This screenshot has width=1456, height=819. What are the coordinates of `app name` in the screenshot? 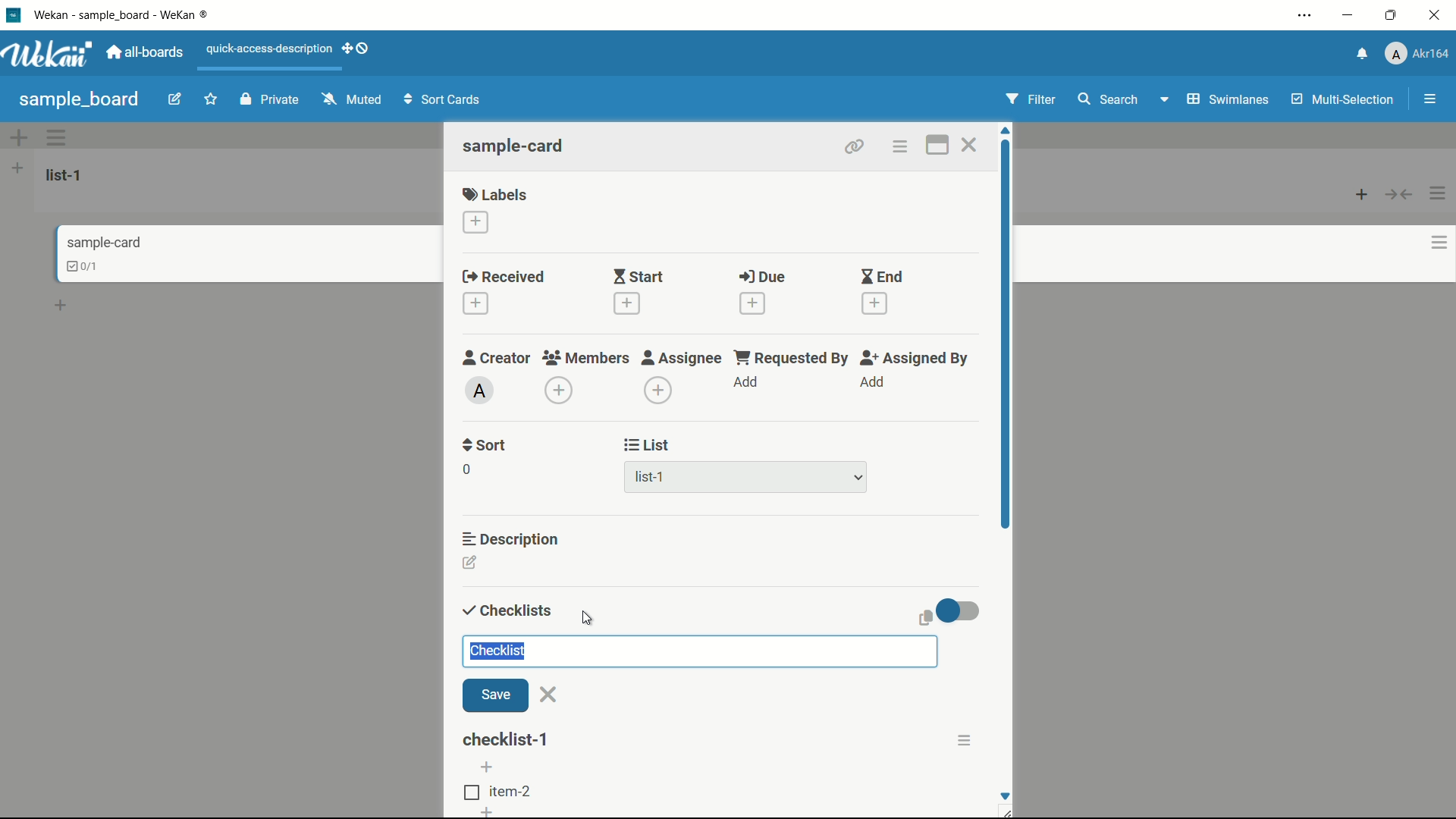 It's located at (124, 14).